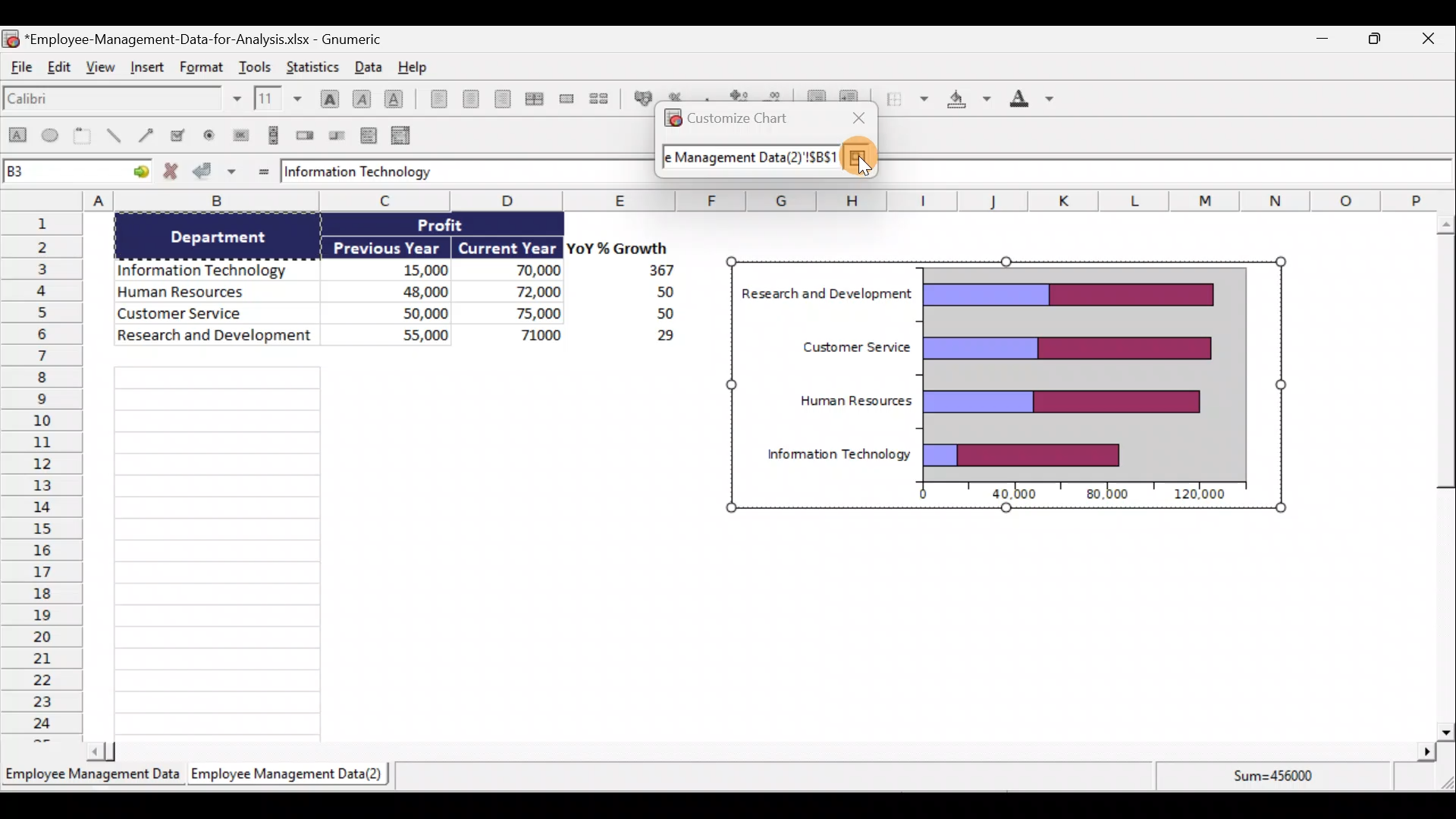  Describe the element at coordinates (1438, 38) in the screenshot. I see `Close` at that location.